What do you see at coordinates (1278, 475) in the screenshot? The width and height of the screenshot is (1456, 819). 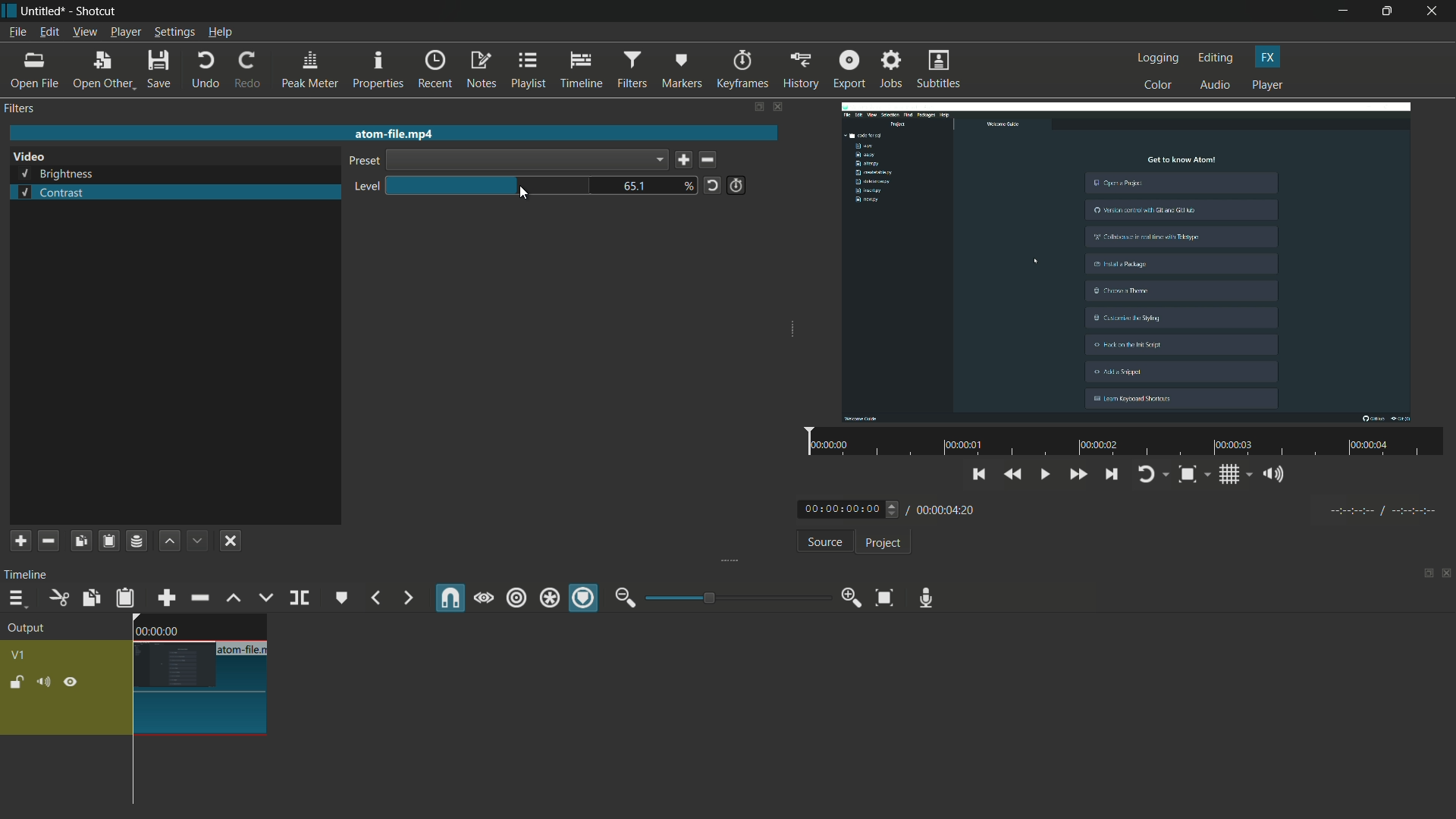 I see `show the volume control` at bounding box center [1278, 475].